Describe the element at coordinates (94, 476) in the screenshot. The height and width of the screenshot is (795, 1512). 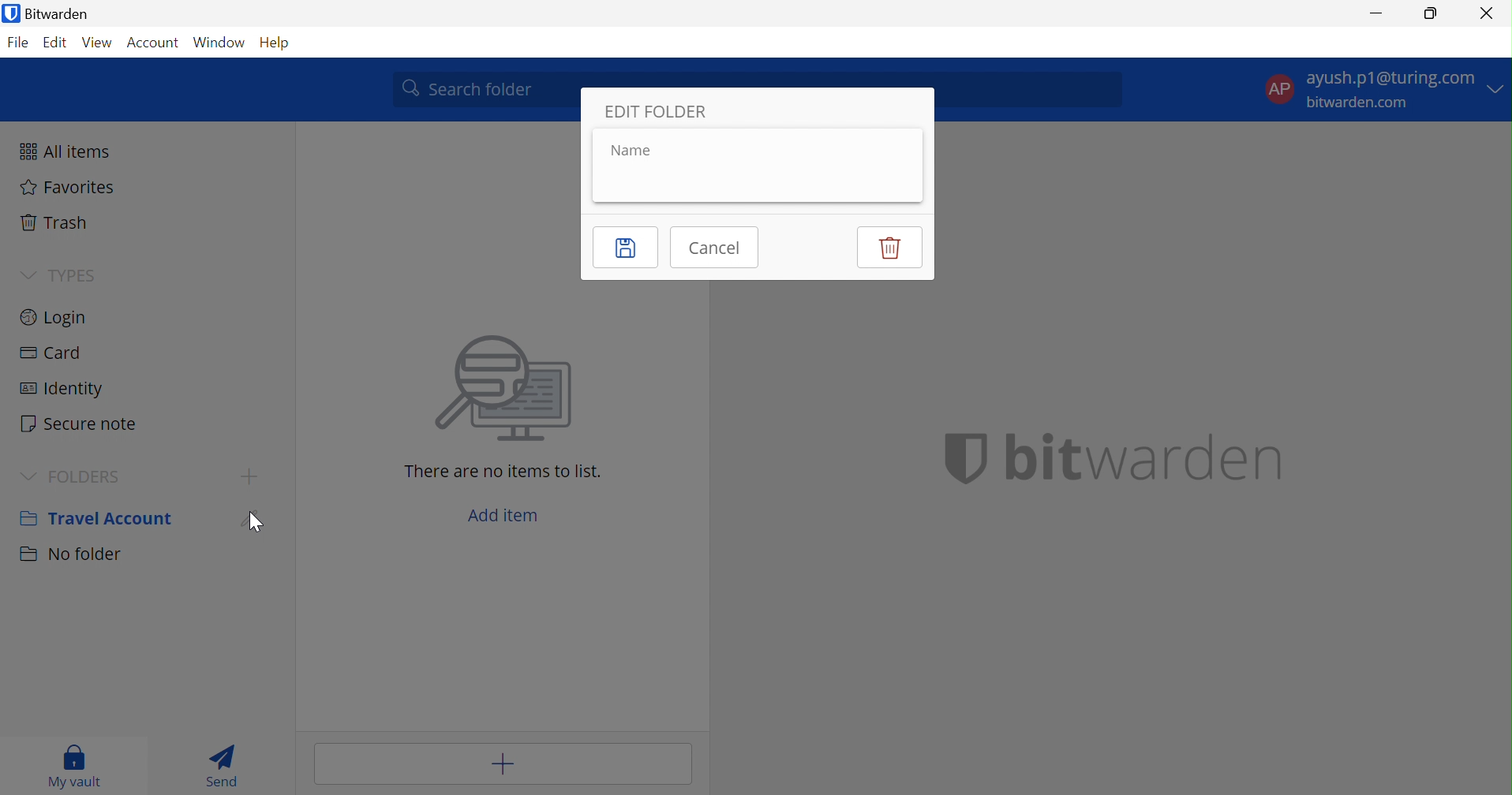
I see `FOLDERS` at that location.